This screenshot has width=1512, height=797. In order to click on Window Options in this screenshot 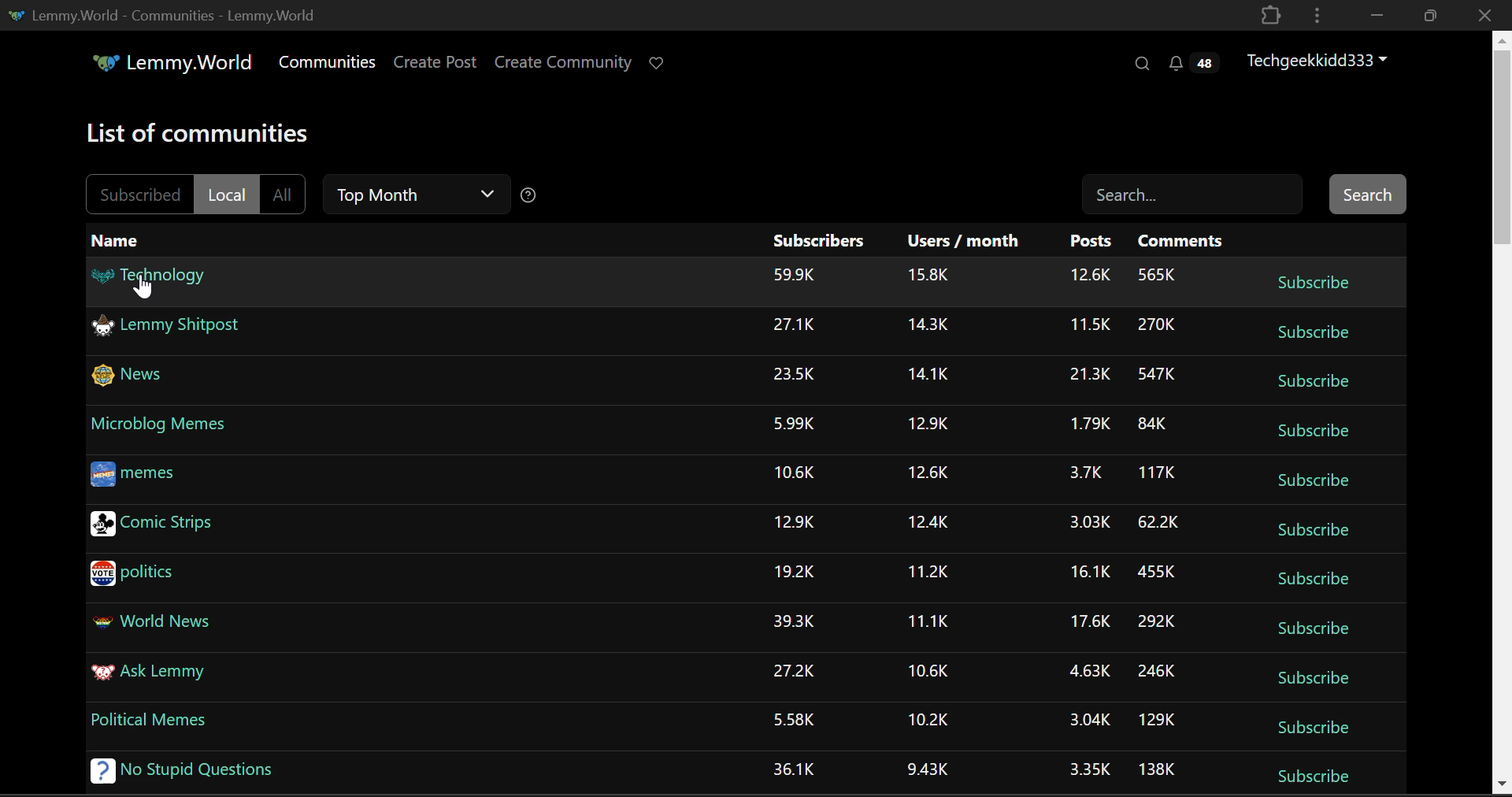, I will do `click(1319, 16)`.